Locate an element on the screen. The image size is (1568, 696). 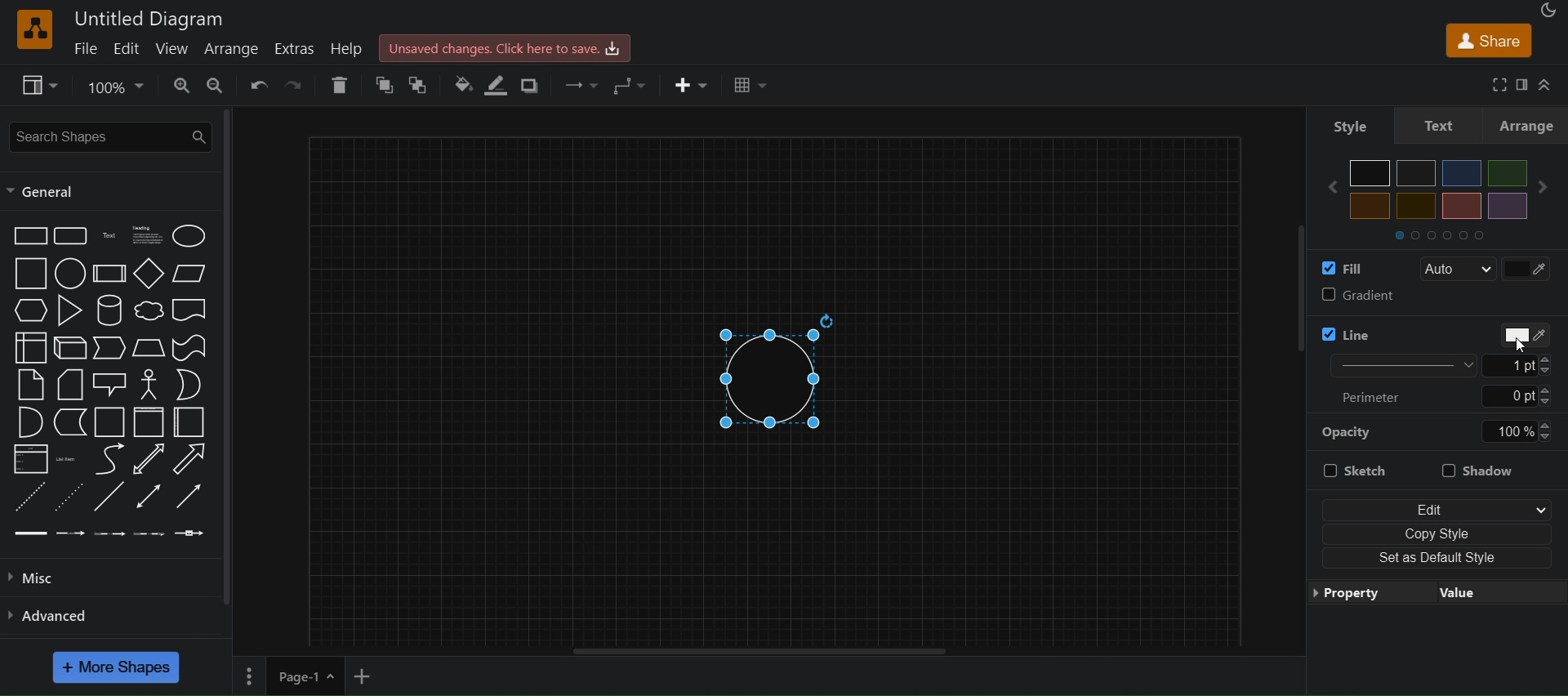
triangle is located at coordinates (73, 310).